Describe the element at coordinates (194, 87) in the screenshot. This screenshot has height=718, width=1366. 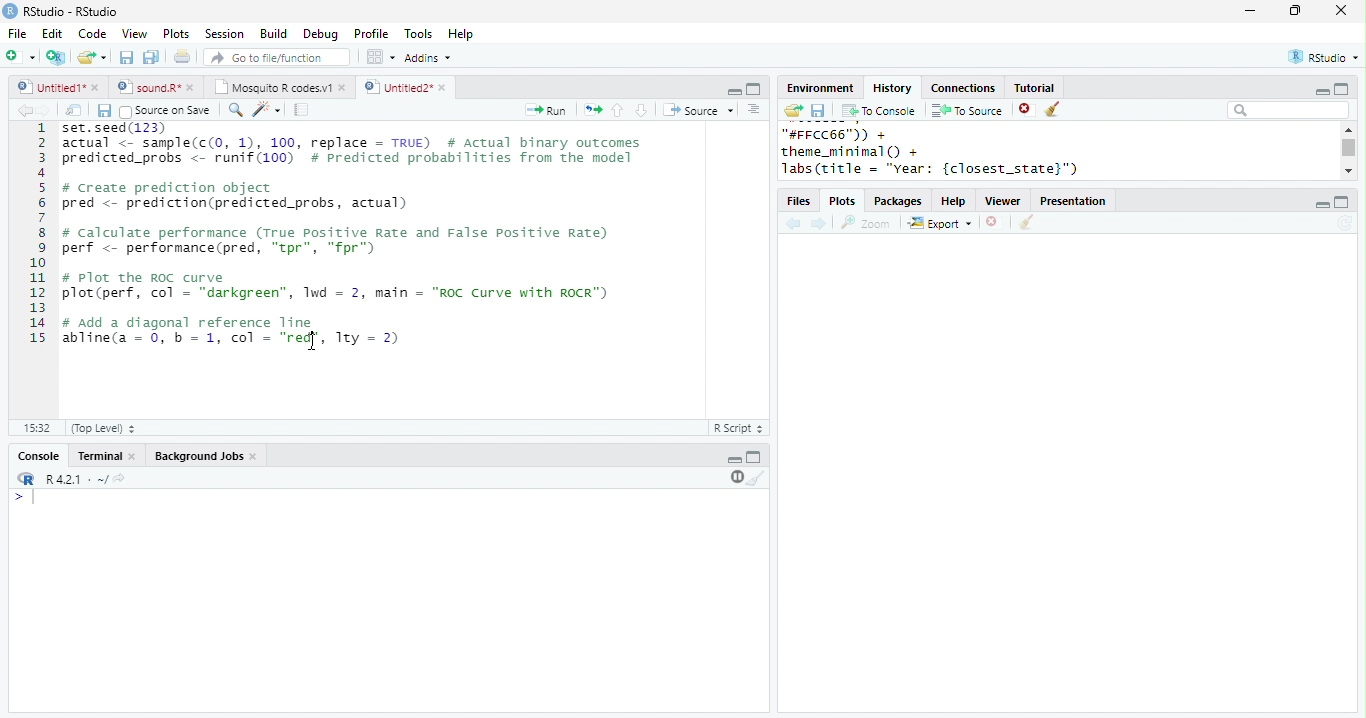
I see `close` at that location.